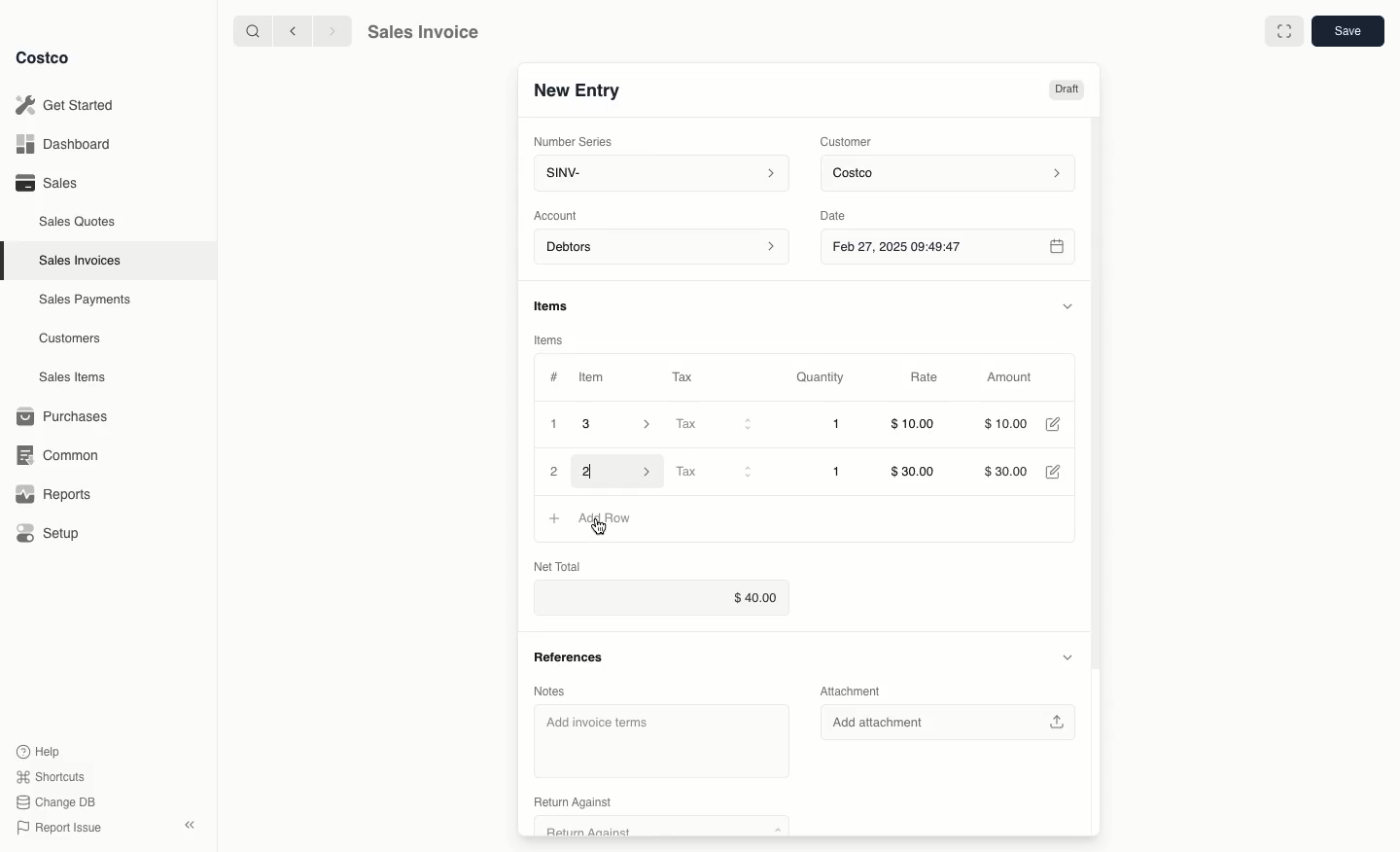  What do you see at coordinates (593, 376) in the screenshot?
I see `Item` at bounding box center [593, 376].